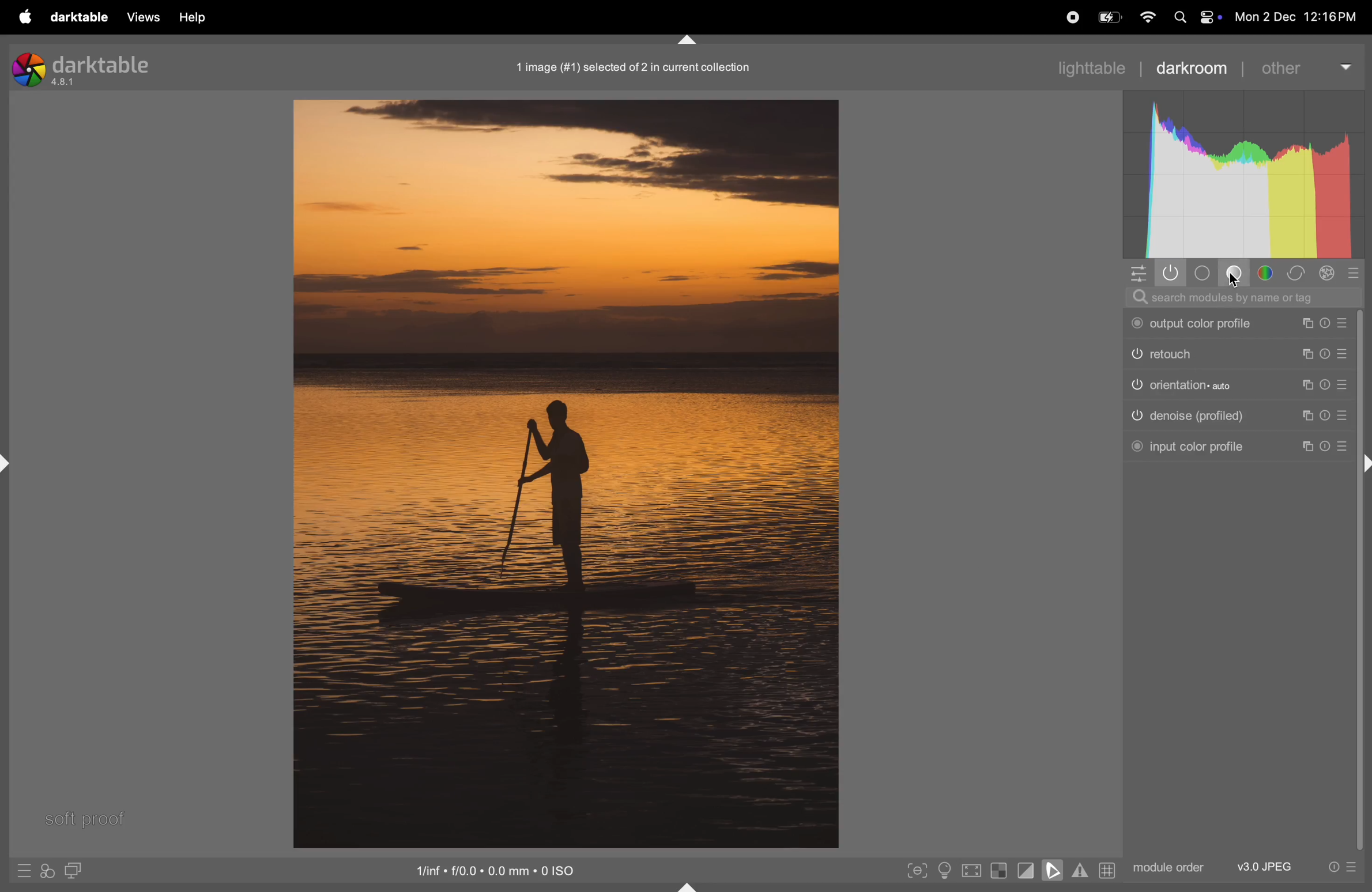 Image resolution: width=1372 pixels, height=892 pixels. Describe the element at coordinates (948, 871) in the screenshot. I see `toggle iso` at that location.